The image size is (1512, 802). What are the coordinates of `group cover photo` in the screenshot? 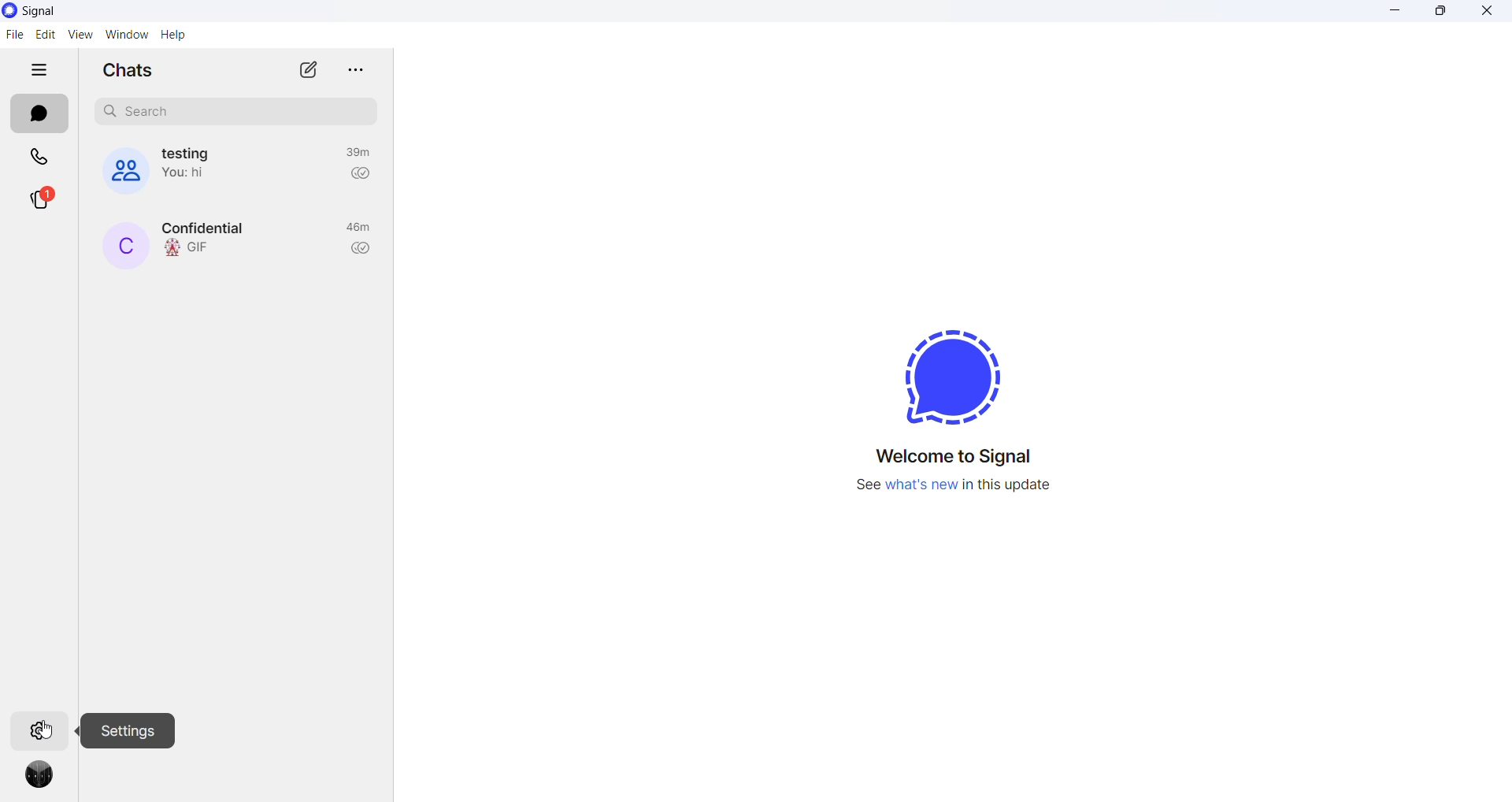 It's located at (117, 171).